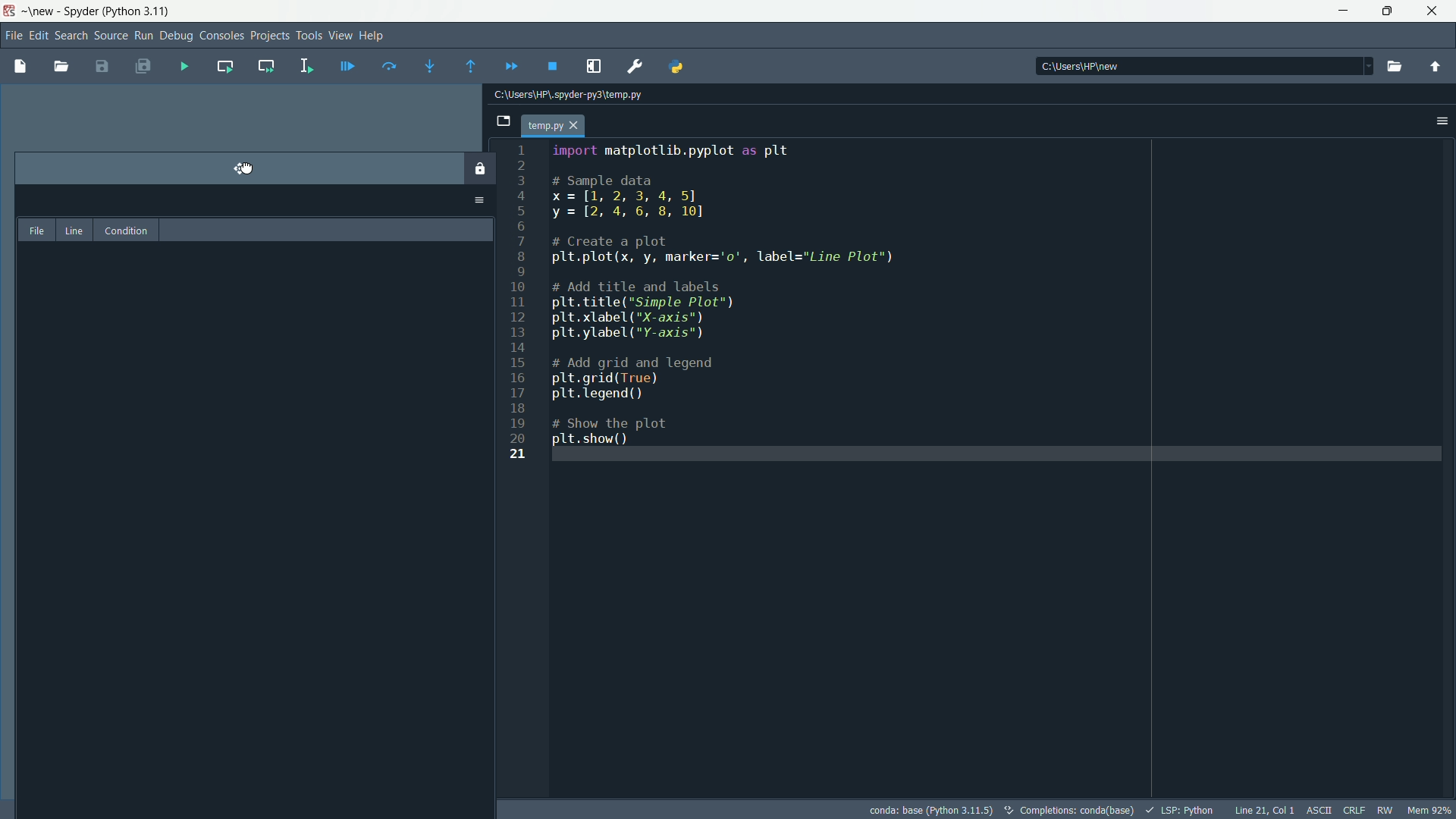  What do you see at coordinates (931, 808) in the screenshot?
I see `conda: base (Python 3.11.5)` at bounding box center [931, 808].